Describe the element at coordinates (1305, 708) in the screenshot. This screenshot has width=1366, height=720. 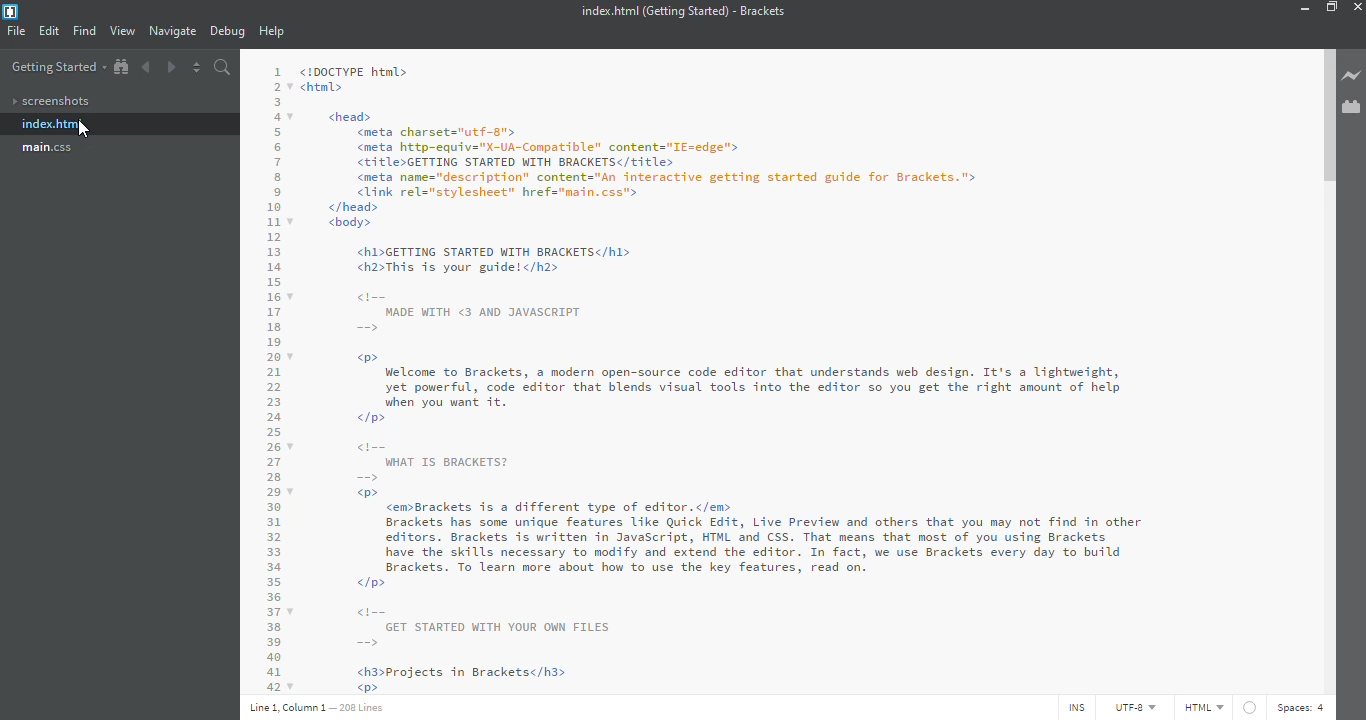
I see `spaces` at that location.